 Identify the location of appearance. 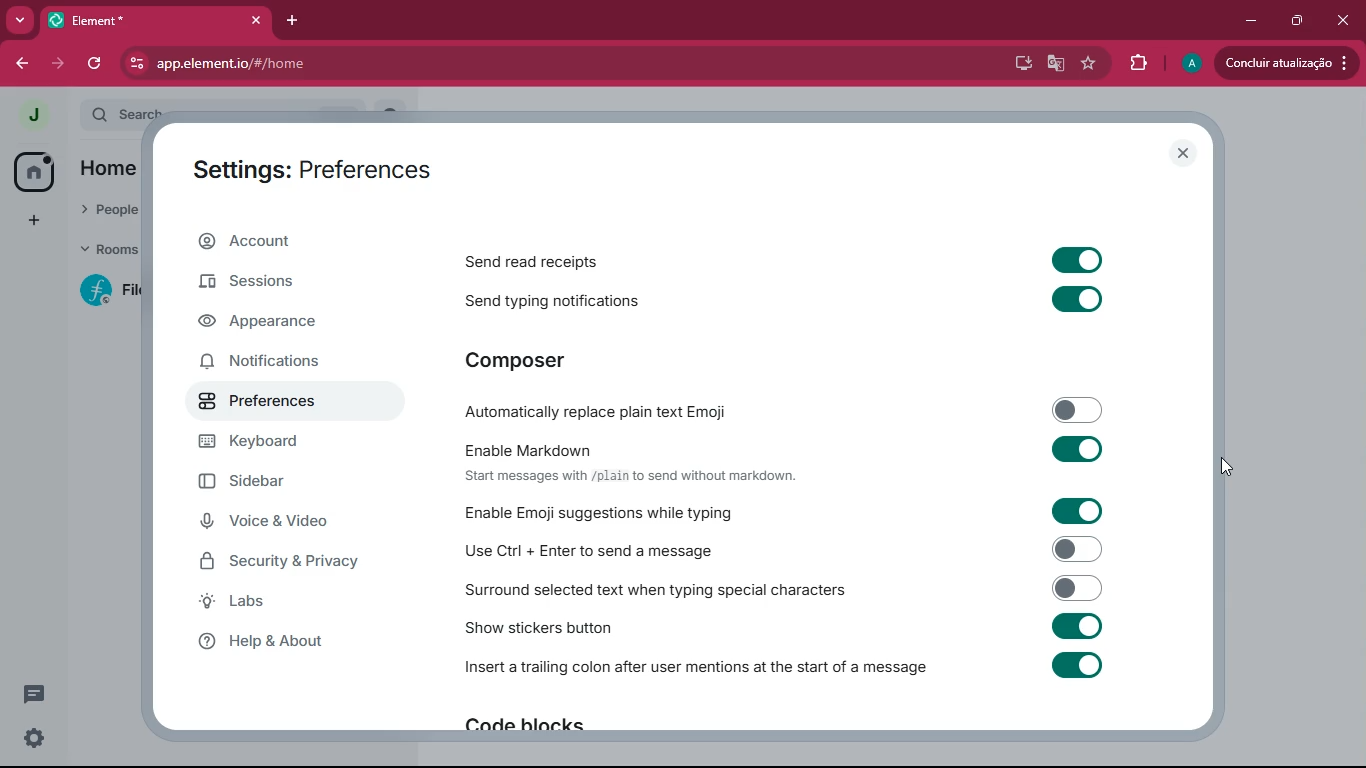
(283, 324).